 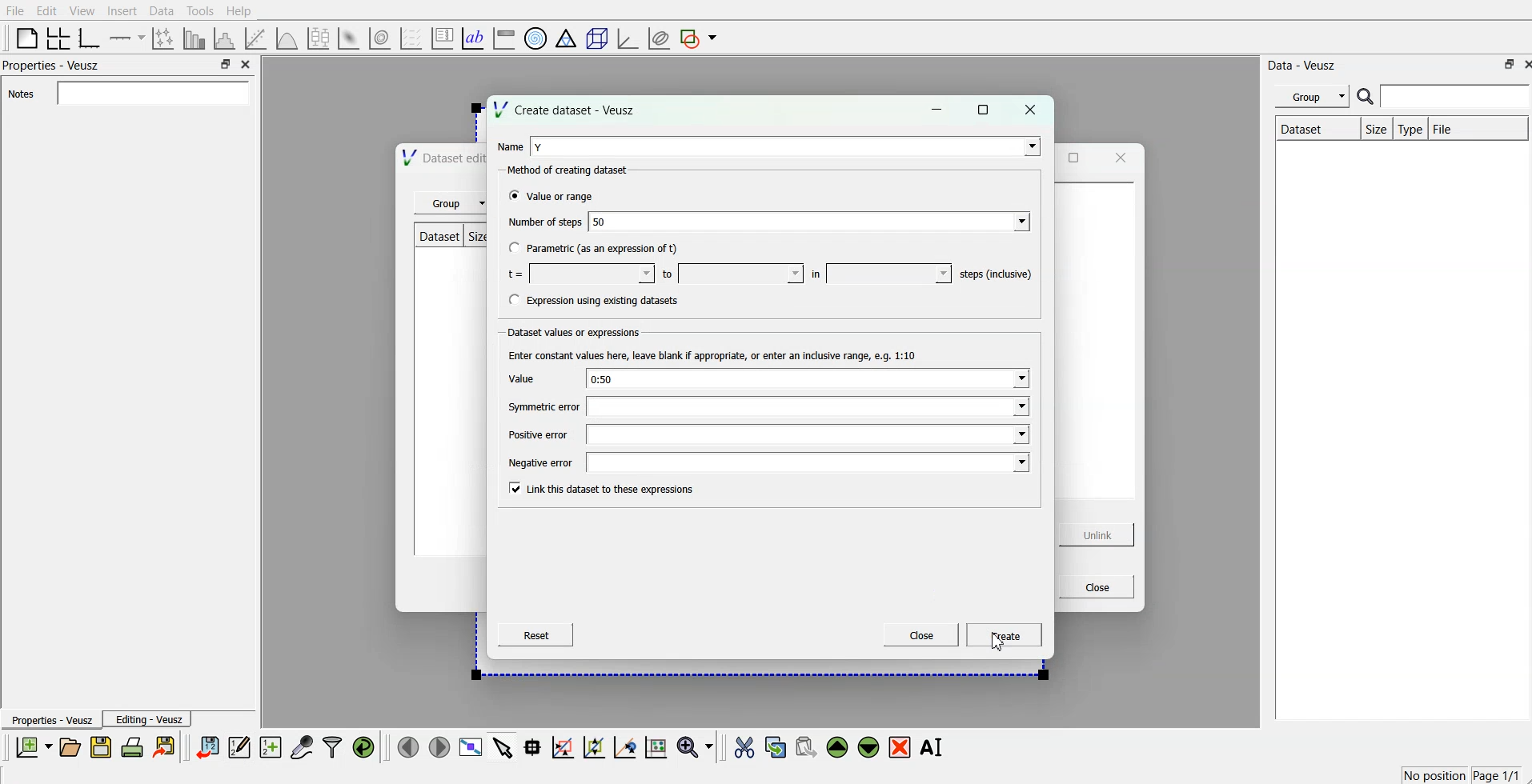 I want to click on plot 2d datasets as image, so click(x=350, y=36).